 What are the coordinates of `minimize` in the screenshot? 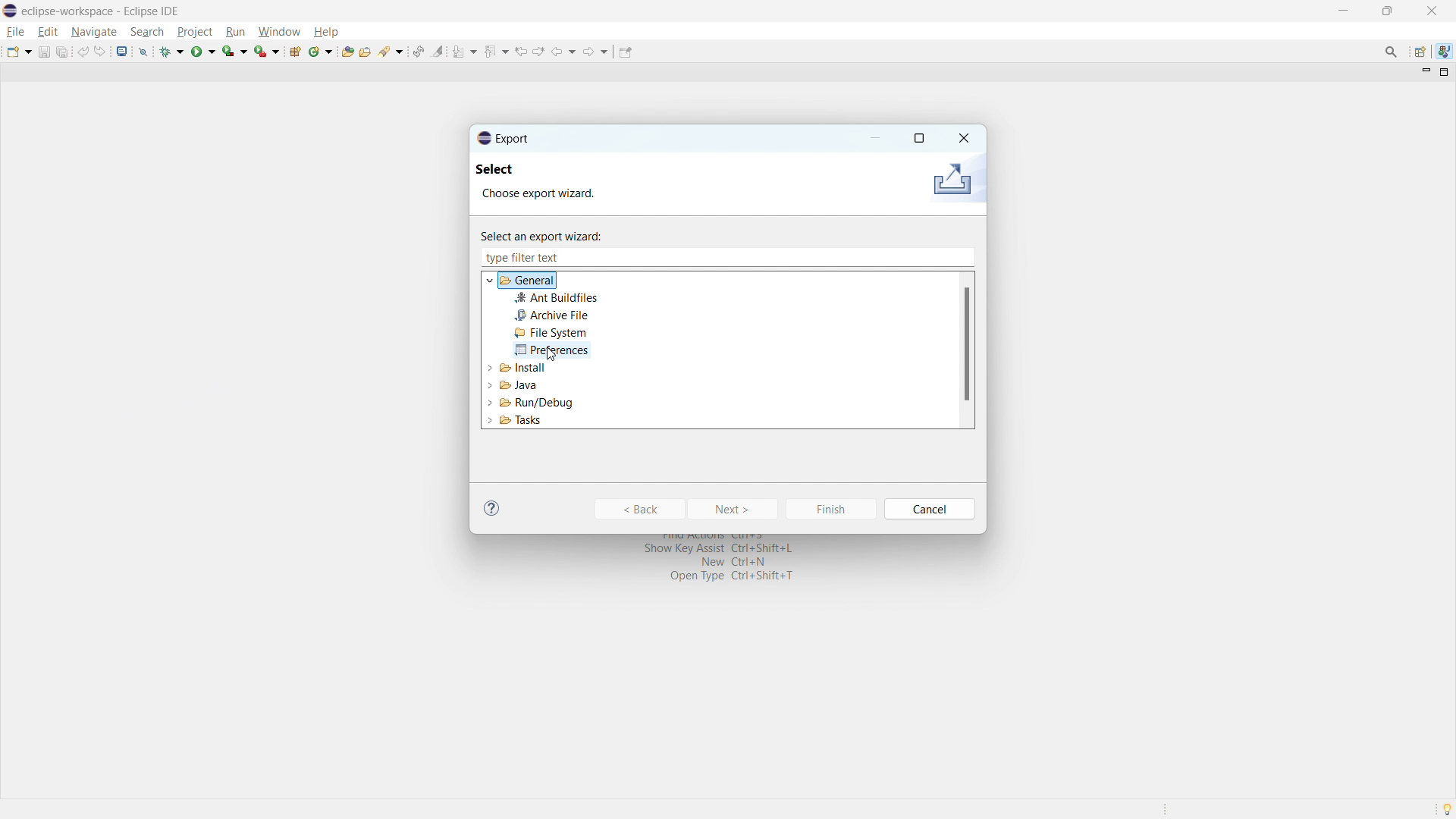 It's located at (877, 138).